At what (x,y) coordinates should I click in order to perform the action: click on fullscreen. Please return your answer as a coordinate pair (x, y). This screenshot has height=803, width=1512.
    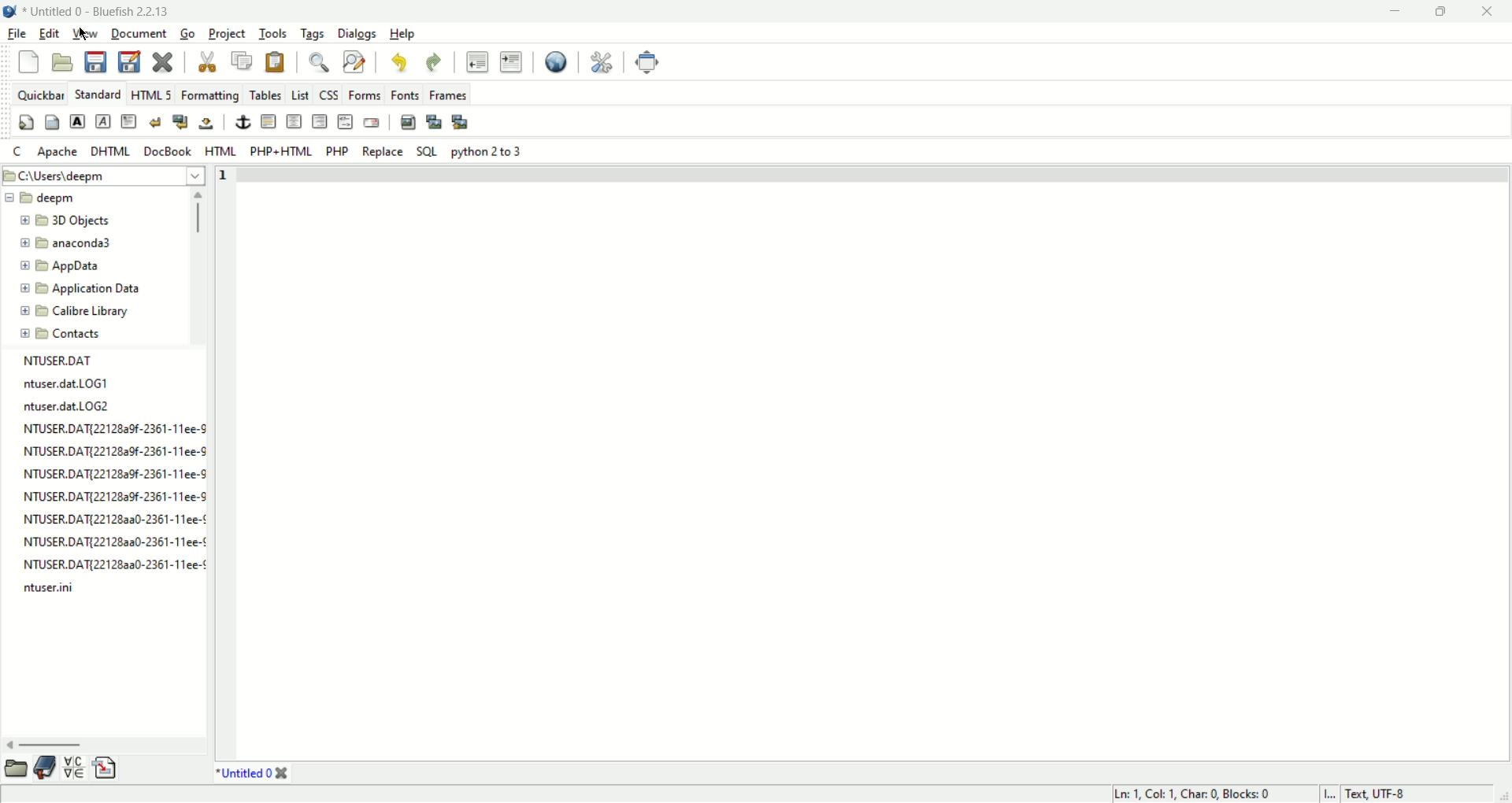
    Looking at the image, I should click on (646, 61).